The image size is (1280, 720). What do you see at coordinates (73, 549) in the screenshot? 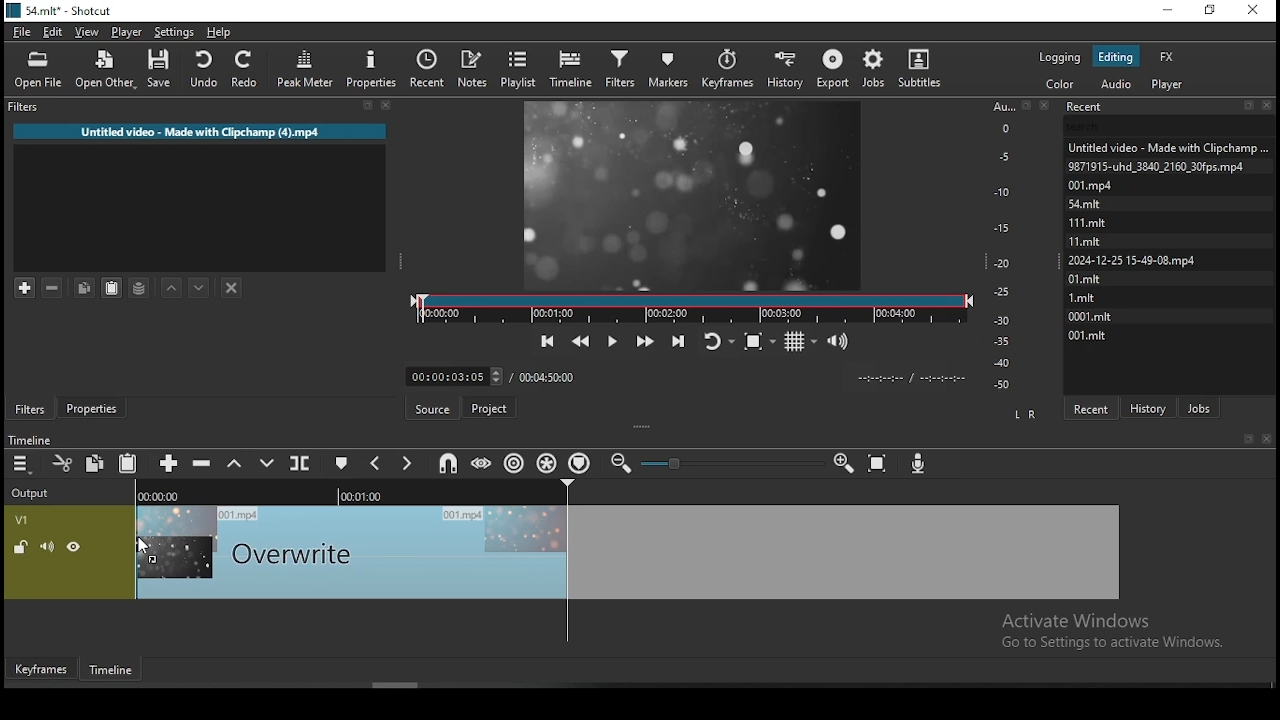
I see `(un)hide` at bounding box center [73, 549].